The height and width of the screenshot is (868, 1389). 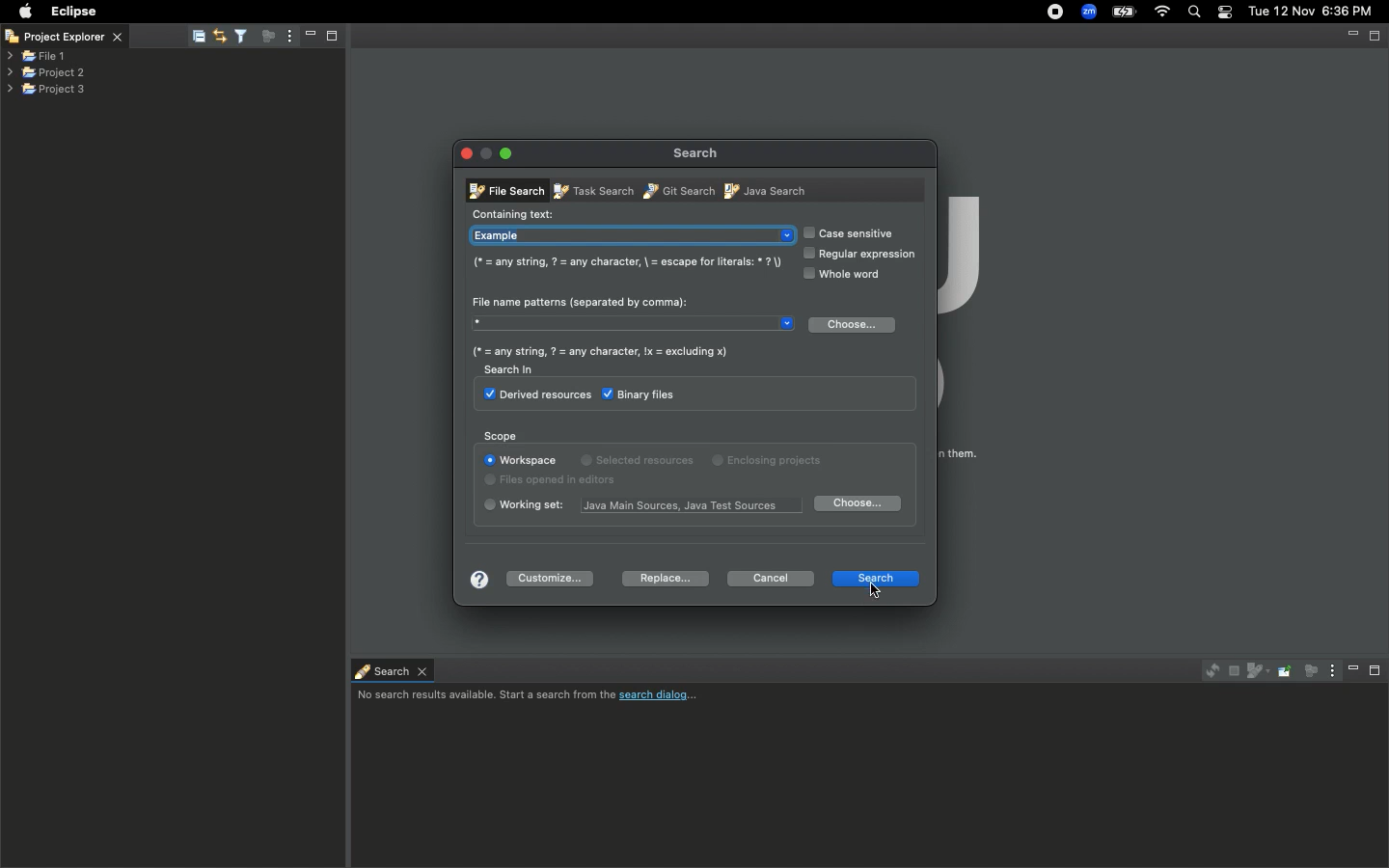 What do you see at coordinates (698, 504) in the screenshot?
I see `Working set` at bounding box center [698, 504].